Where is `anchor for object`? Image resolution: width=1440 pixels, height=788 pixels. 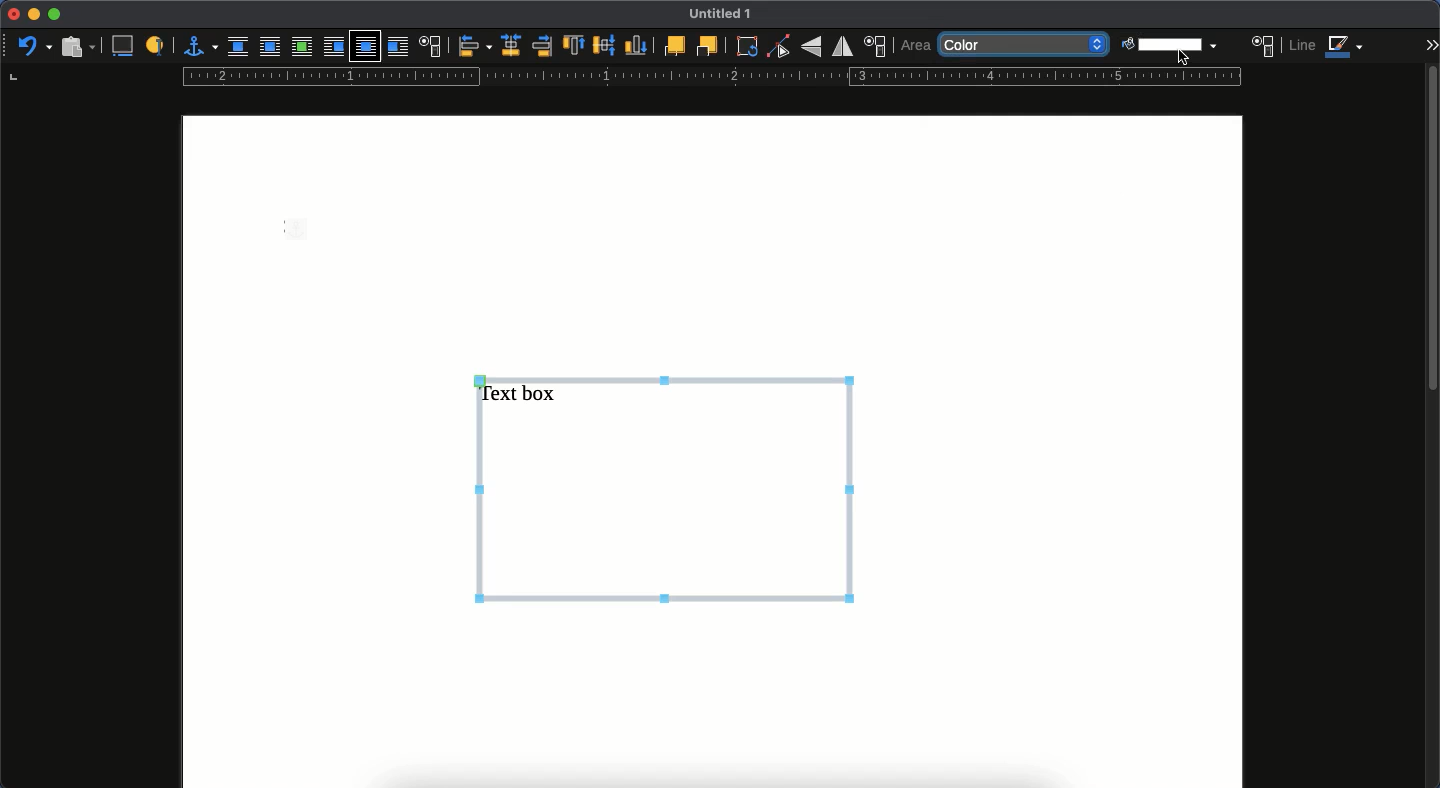
anchor for object is located at coordinates (200, 45).